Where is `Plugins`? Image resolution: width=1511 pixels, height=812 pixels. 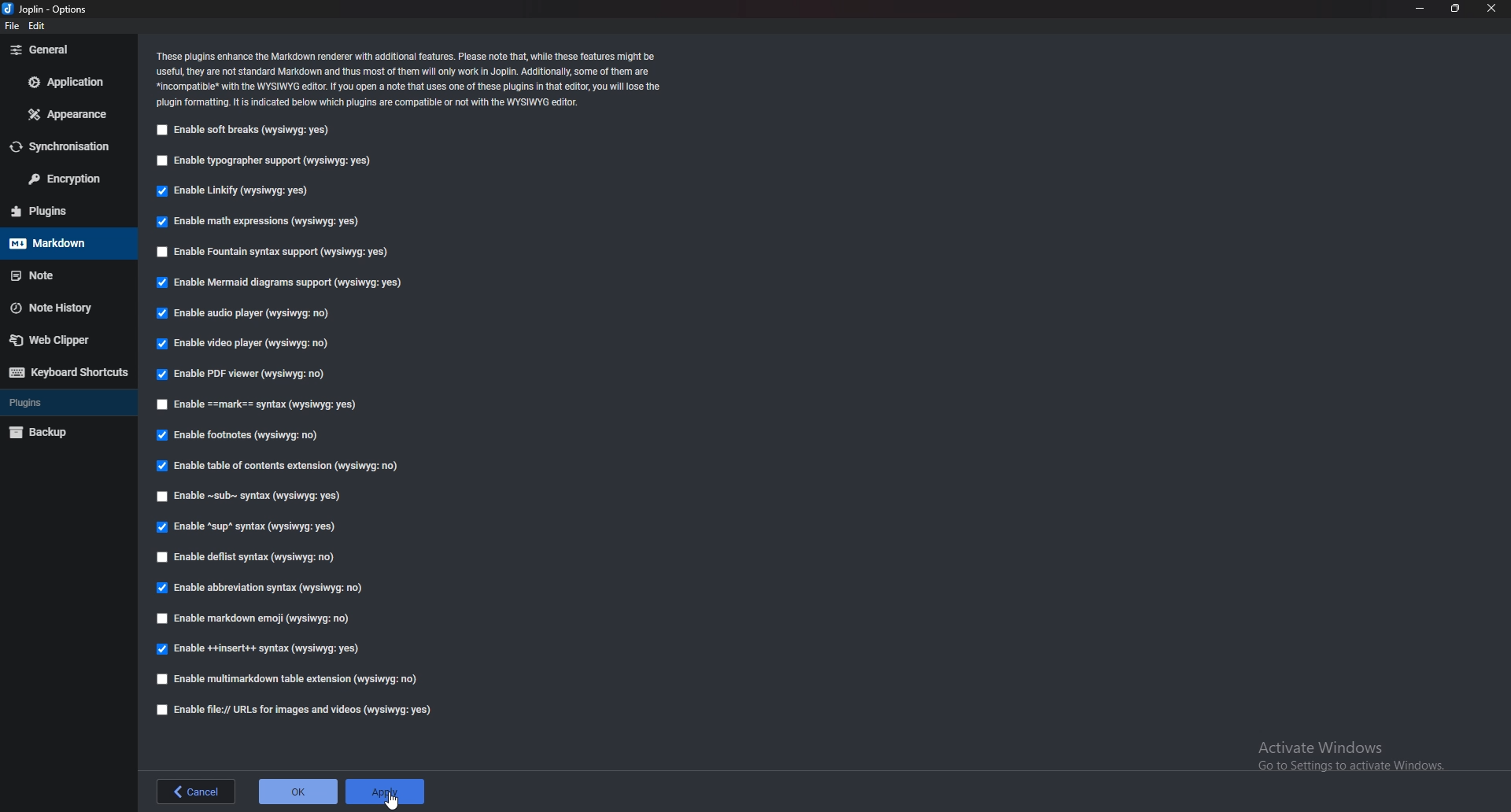 Plugins is located at coordinates (58, 212).